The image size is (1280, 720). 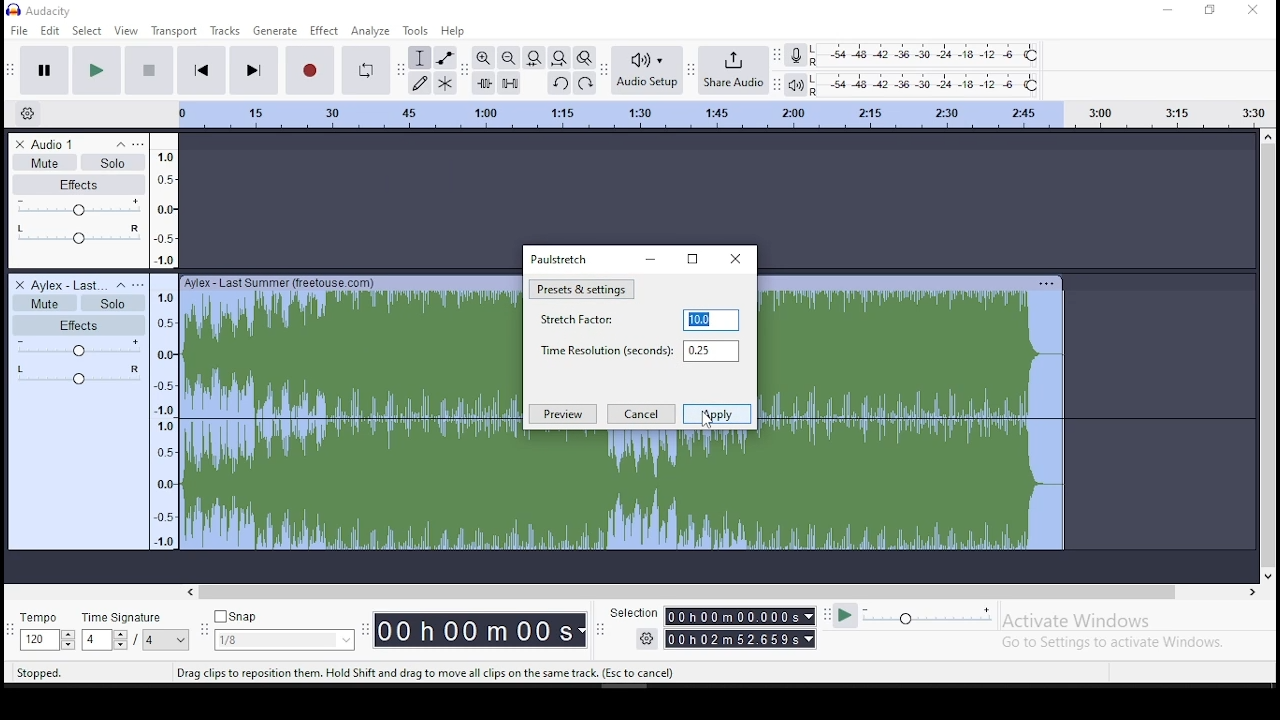 What do you see at coordinates (80, 325) in the screenshot?
I see `effects` at bounding box center [80, 325].